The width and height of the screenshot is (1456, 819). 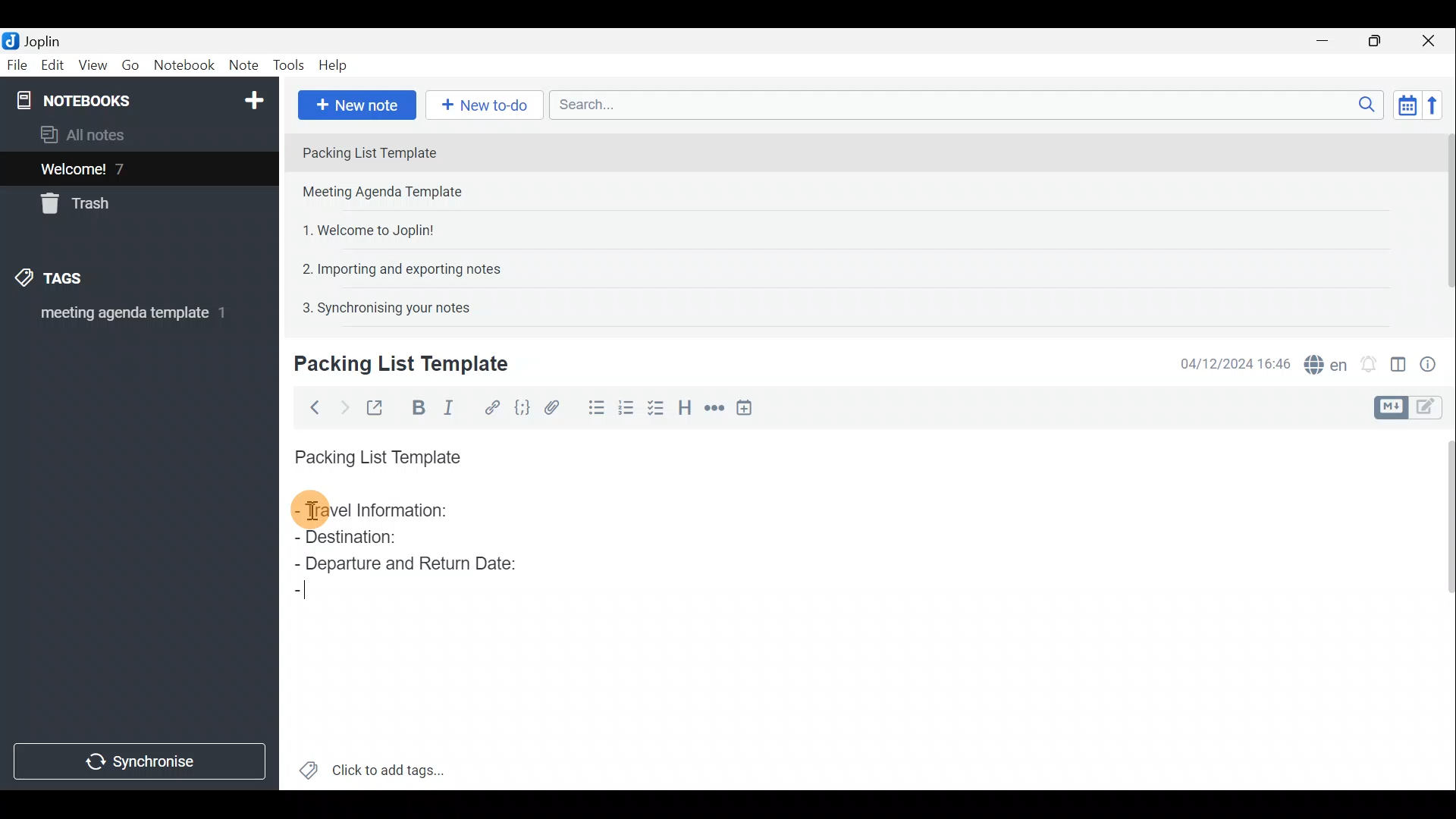 I want to click on Note 5, so click(x=380, y=306).